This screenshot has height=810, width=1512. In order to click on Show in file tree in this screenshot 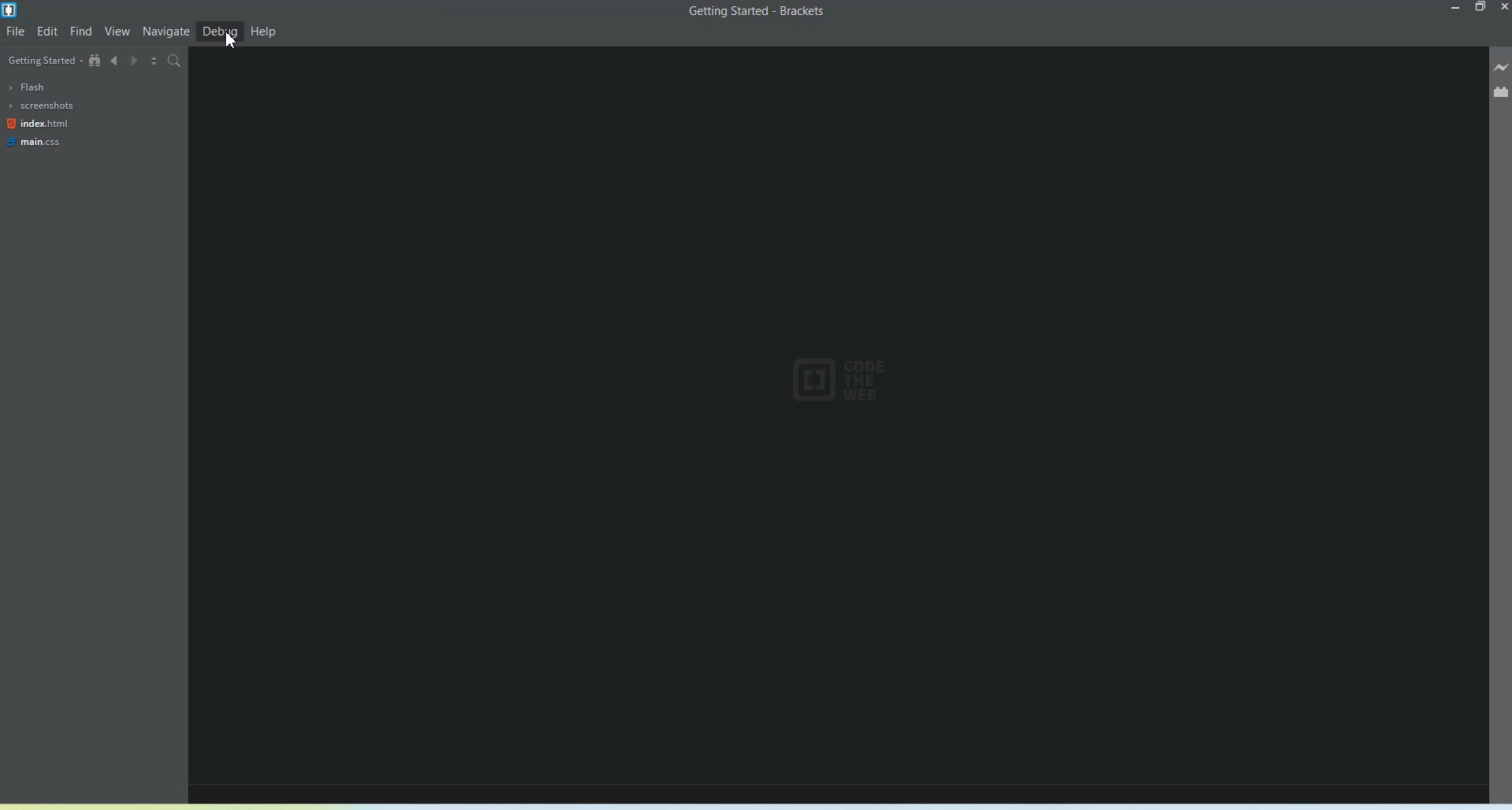, I will do `click(97, 61)`.